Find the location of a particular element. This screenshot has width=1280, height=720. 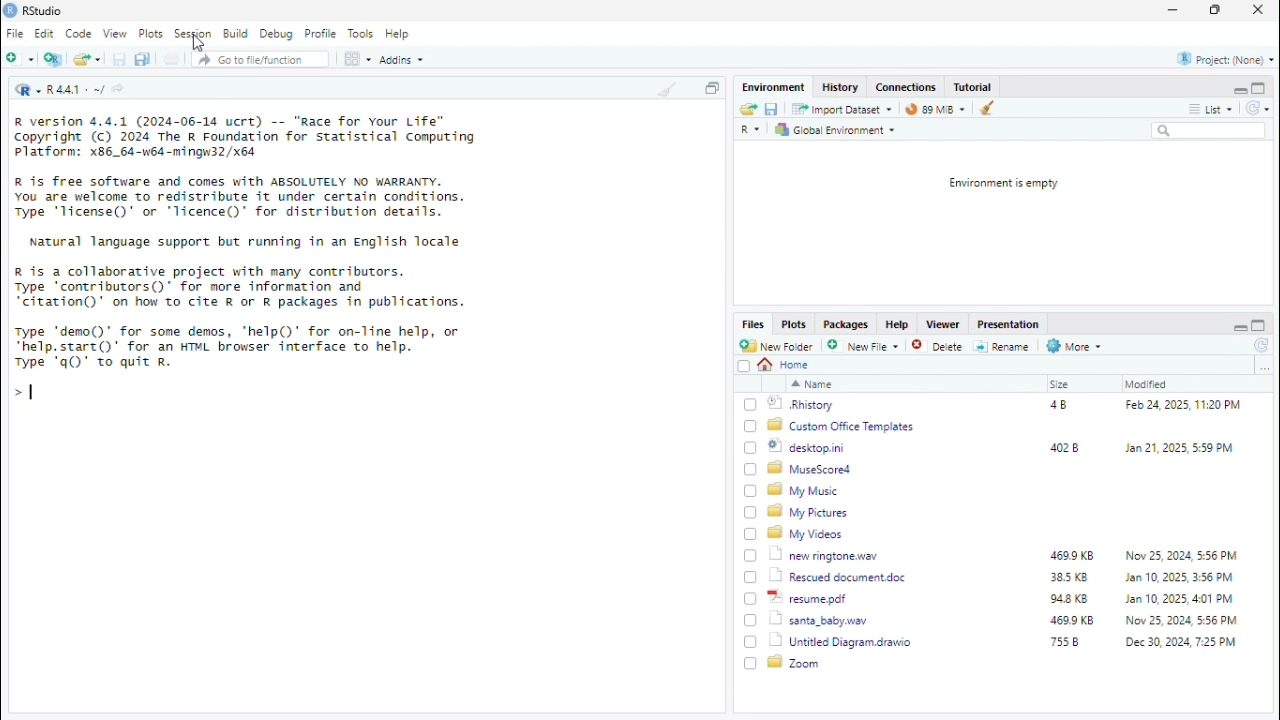

Natural language support but running in an English locale is located at coordinates (246, 242).